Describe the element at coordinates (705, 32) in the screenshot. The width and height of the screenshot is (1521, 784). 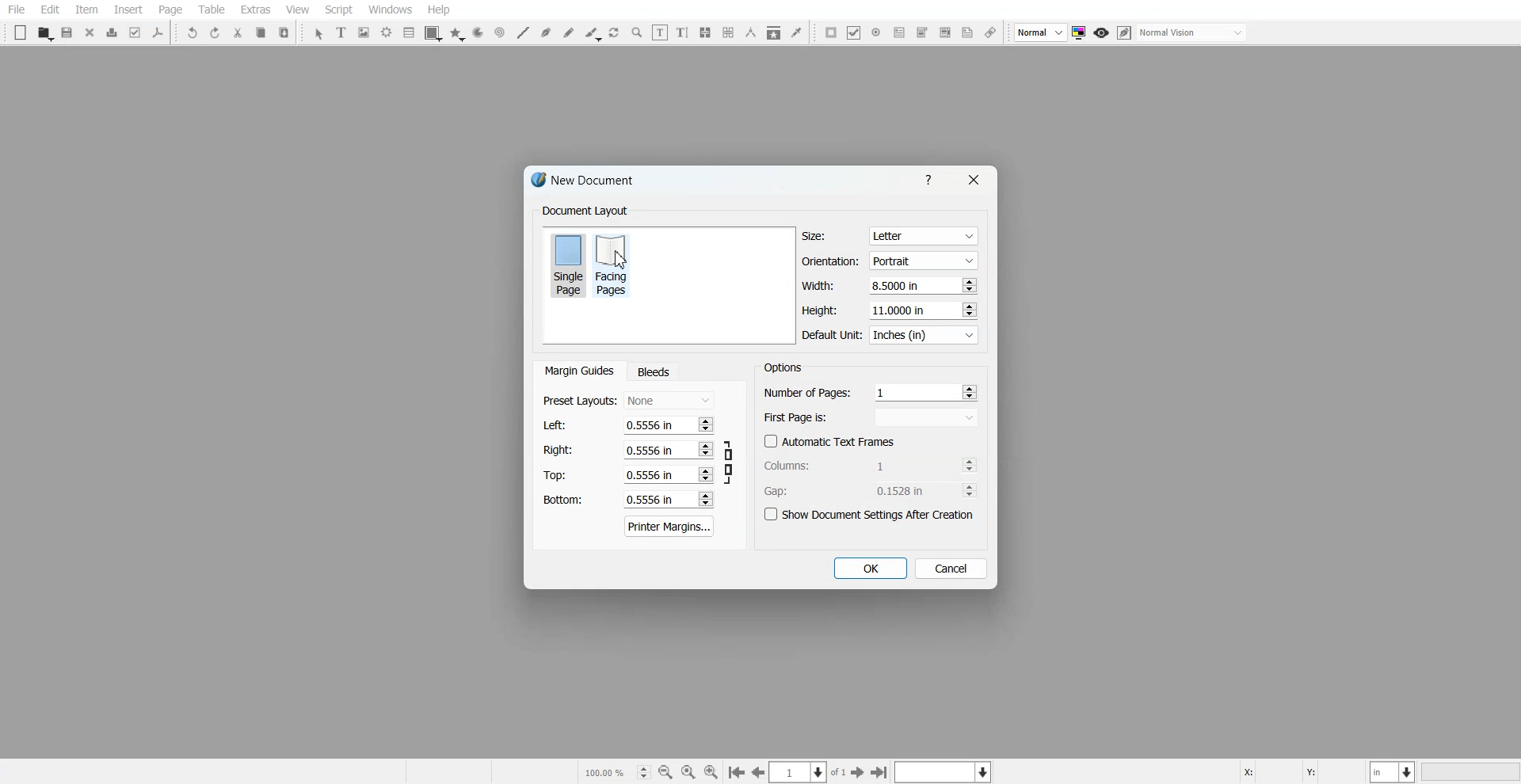
I see `Link Text Frame` at that location.